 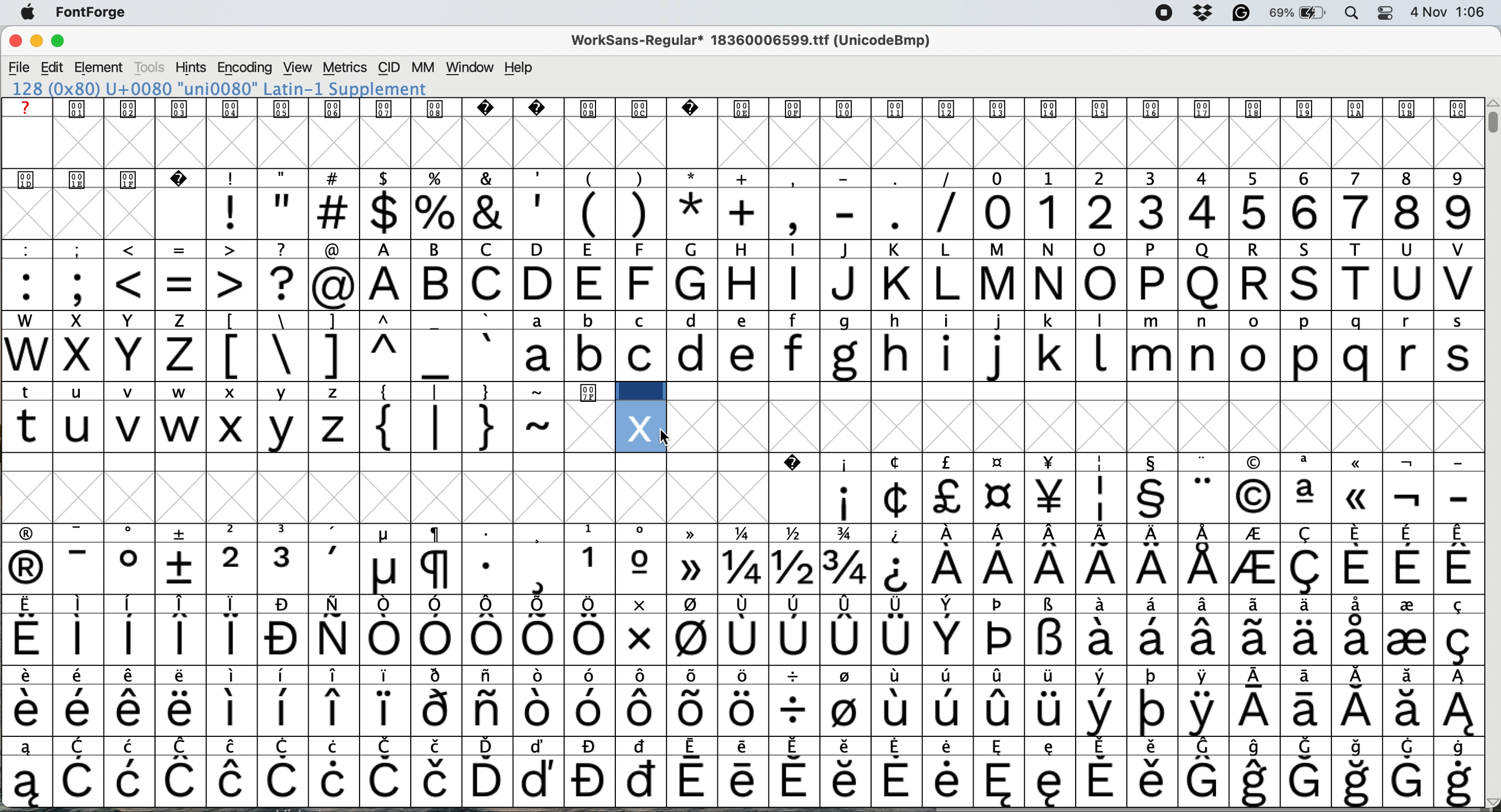 What do you see at coordinates (35, 43) in the screenshot?
I see `minimise` at bounding box center [35, 43].